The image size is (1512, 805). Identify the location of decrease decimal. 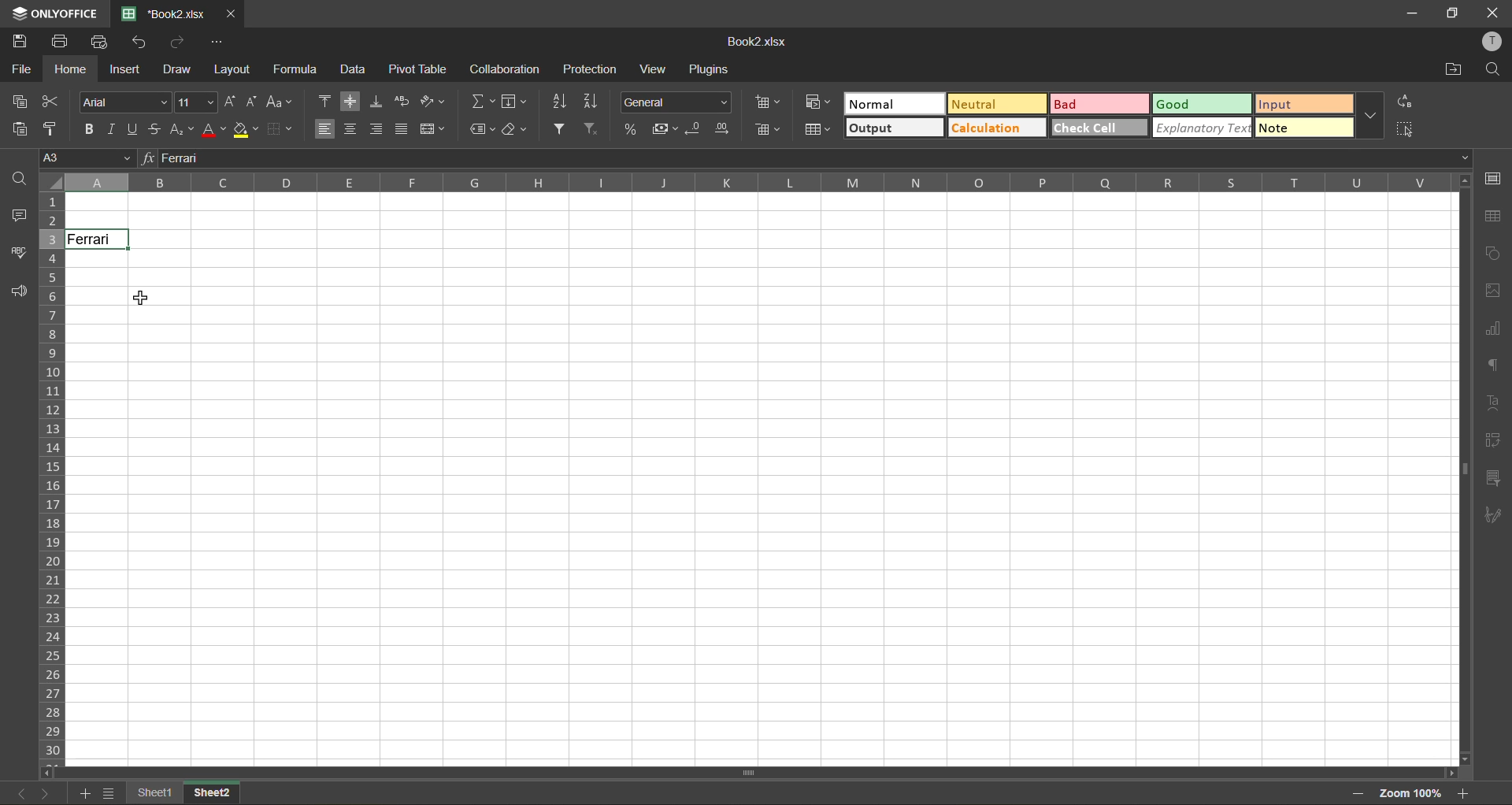
(695, 129).